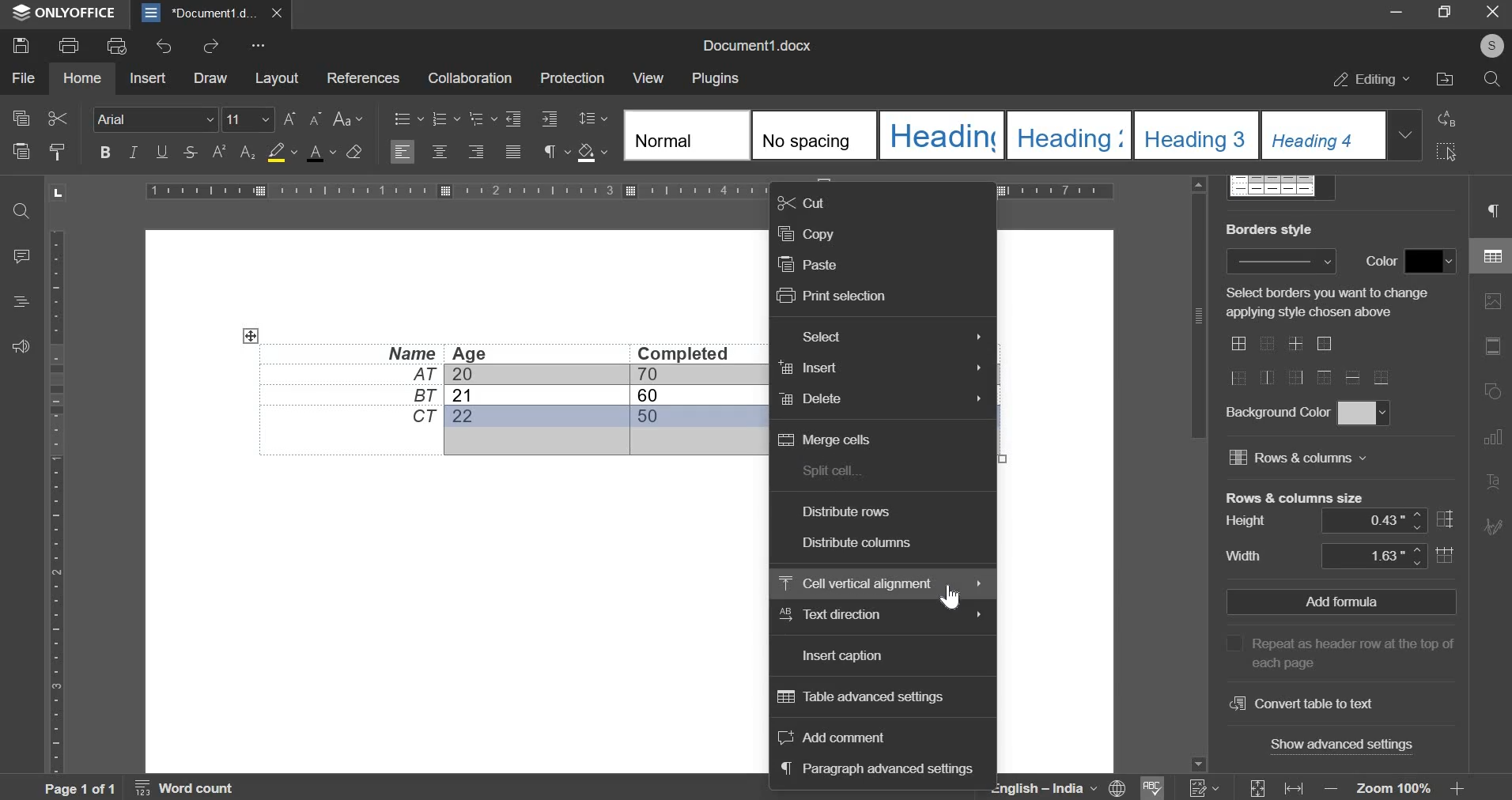 This screenshot has height=800, width=1512. What do you see at coordinates (212, 15) in the screenshot?
I see `document1` at bounding box center [212, 15].